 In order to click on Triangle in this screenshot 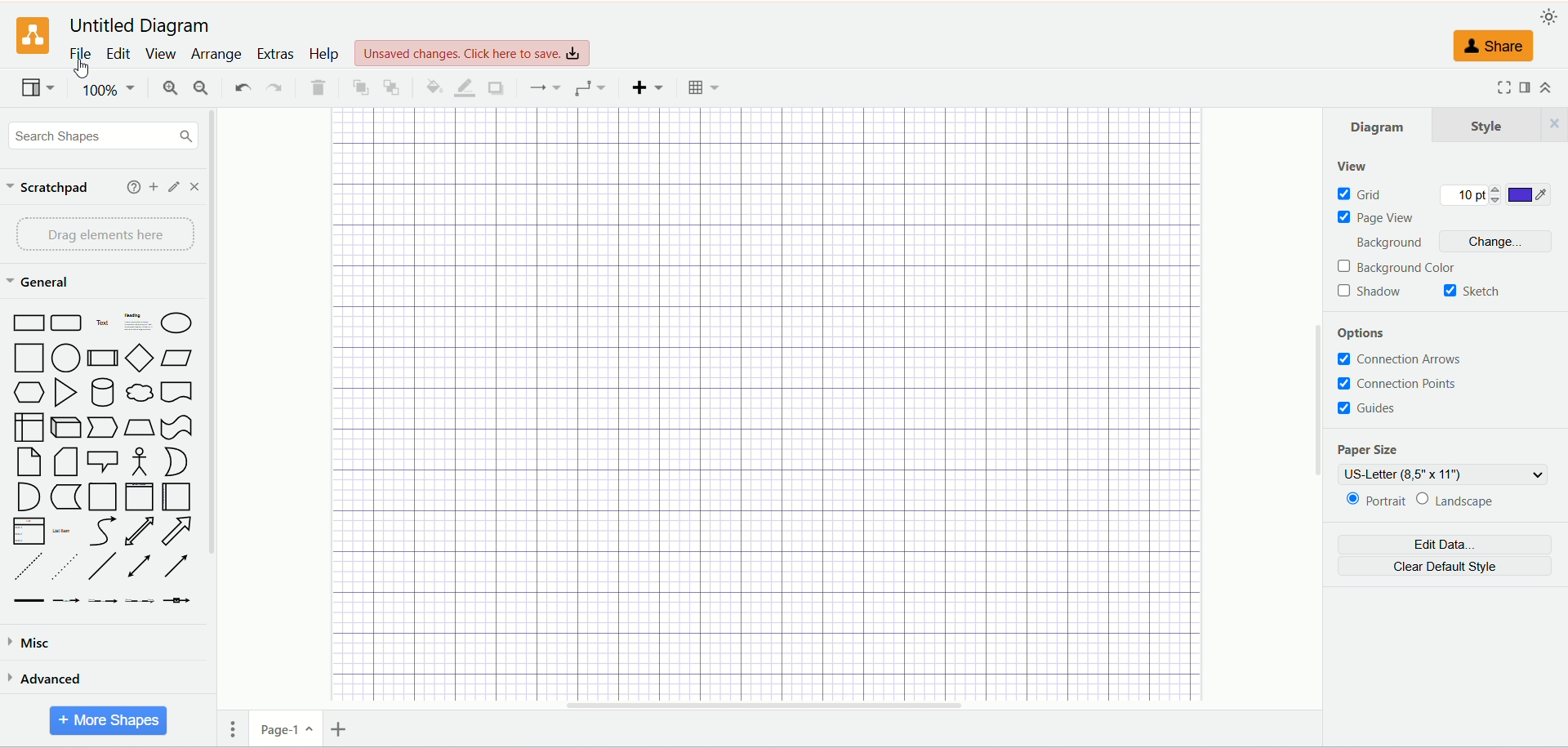, I will do `click(67, 394)`.